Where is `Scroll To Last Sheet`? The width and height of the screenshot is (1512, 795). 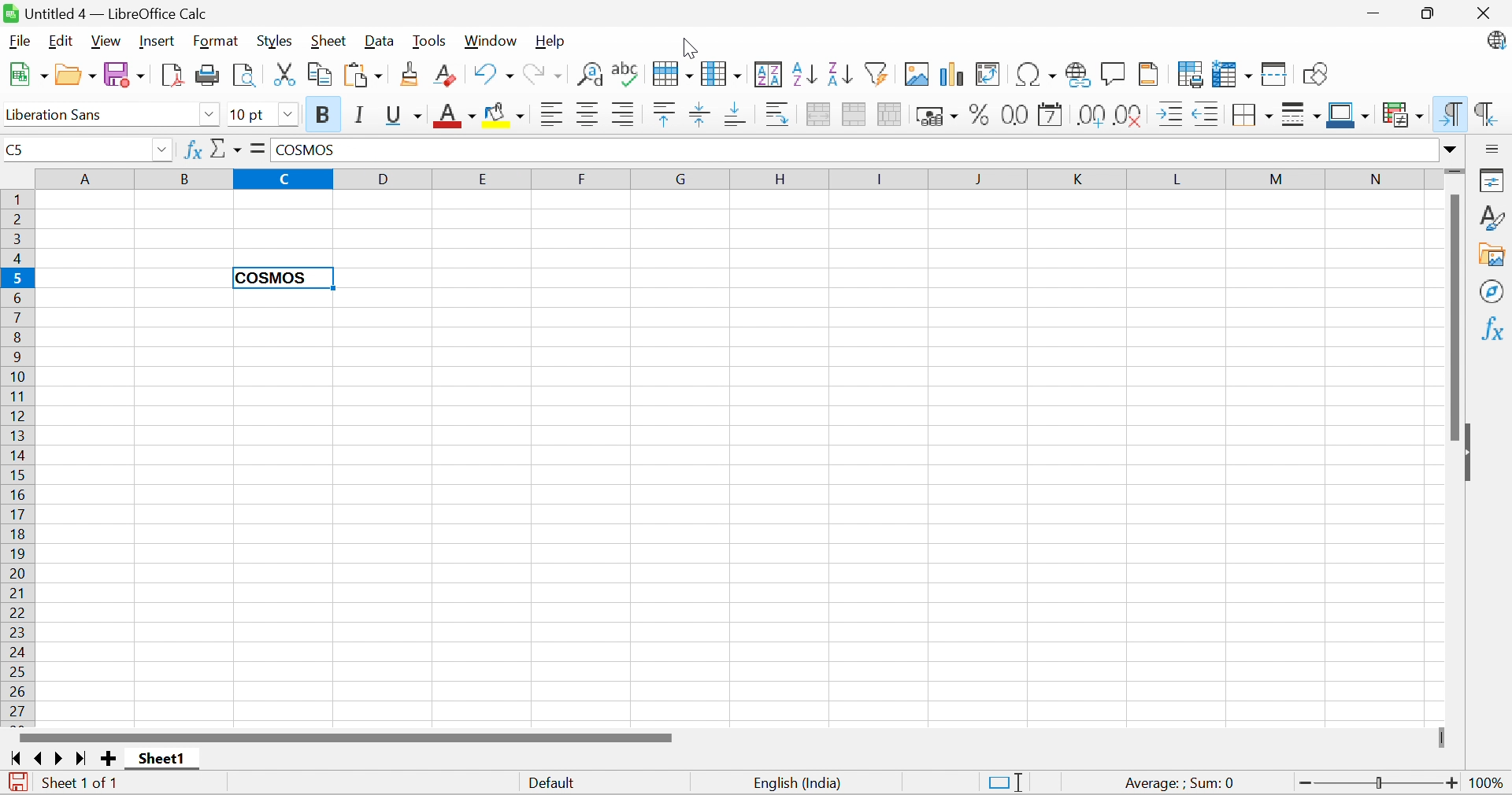
Scroll To Last Sheet is located at coordinates (82, 757).